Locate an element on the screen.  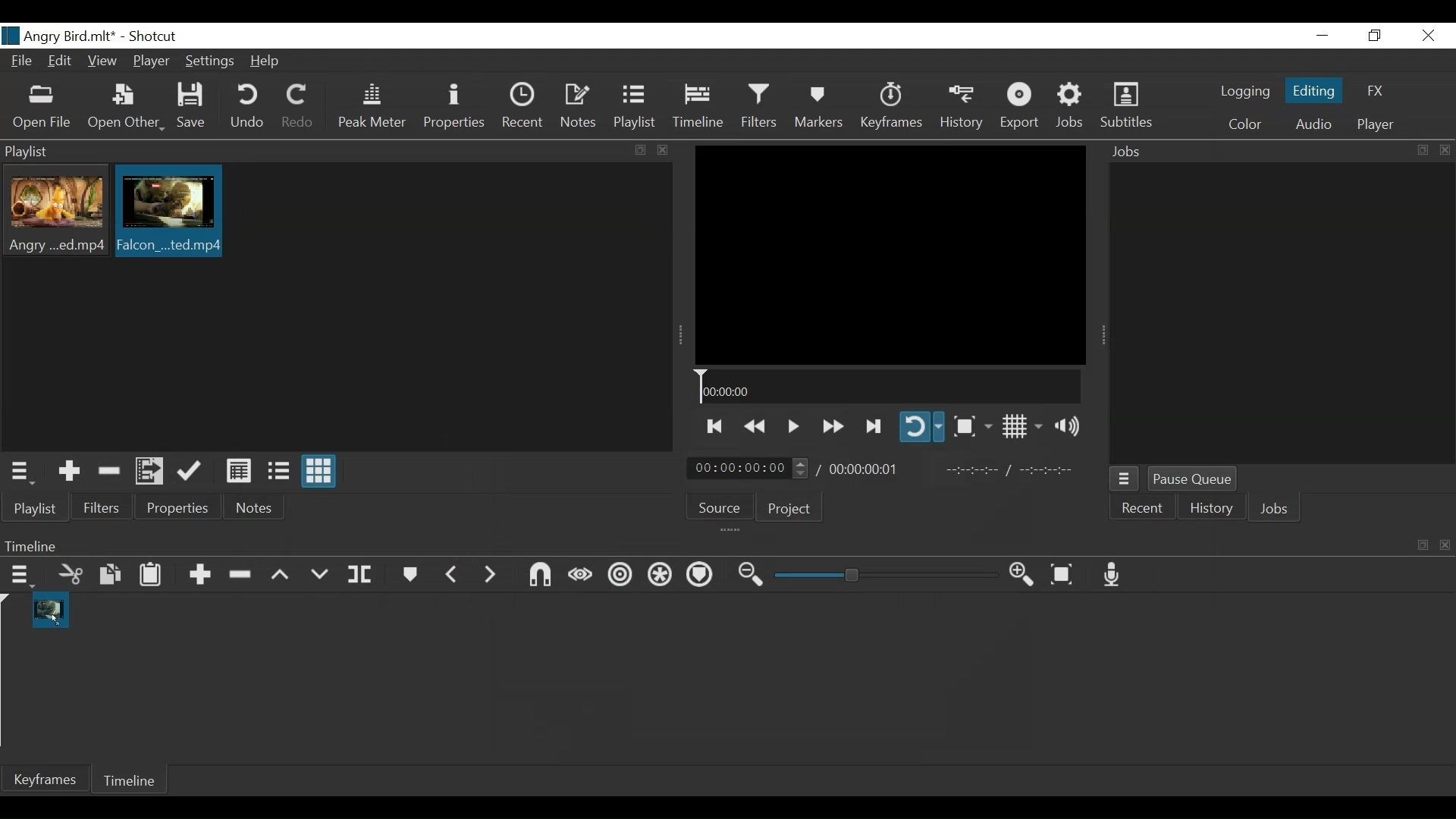
View as icons is located at coordinates (320, 471).